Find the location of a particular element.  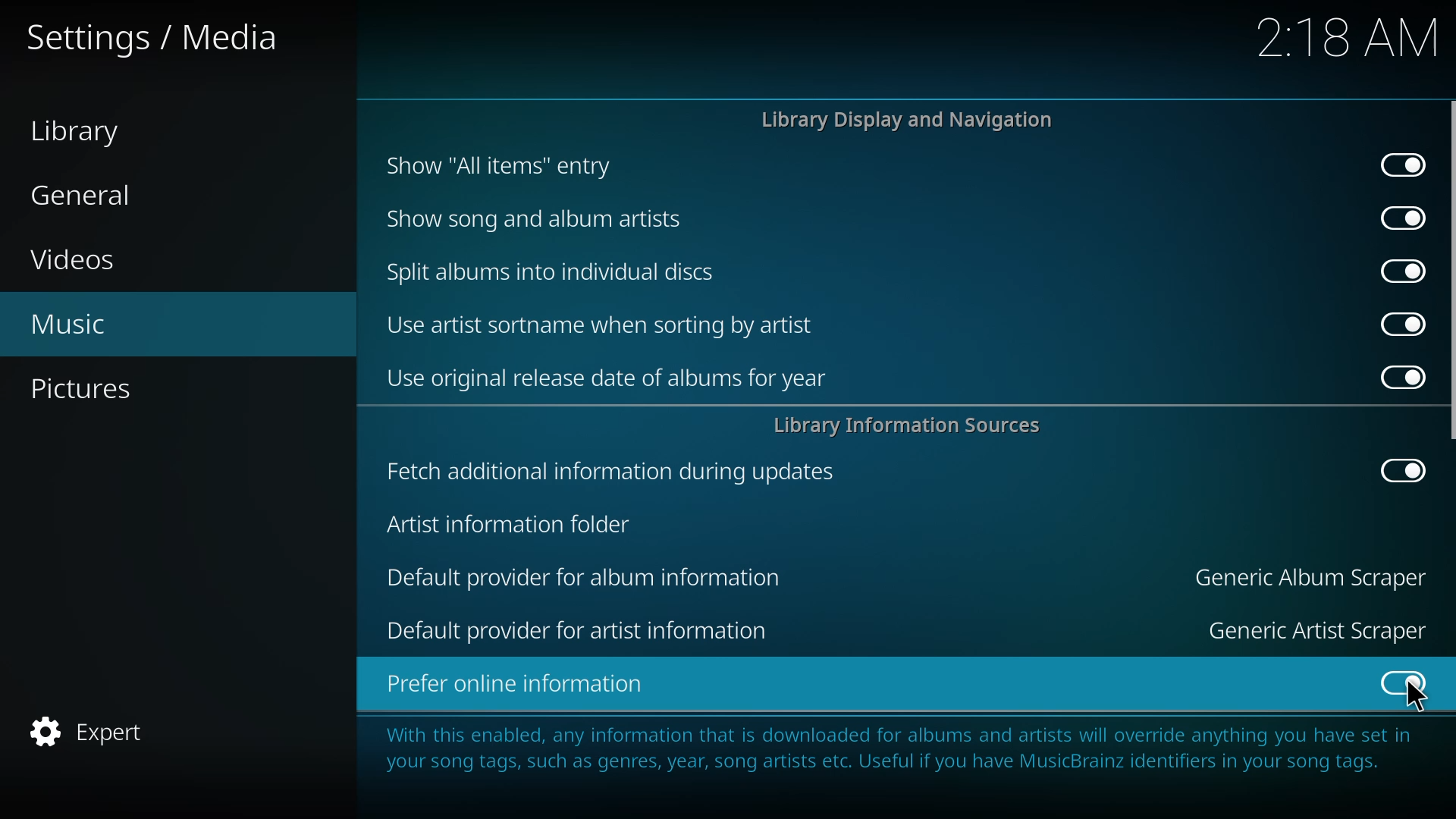

pictures is located at coordinates (92, 391).